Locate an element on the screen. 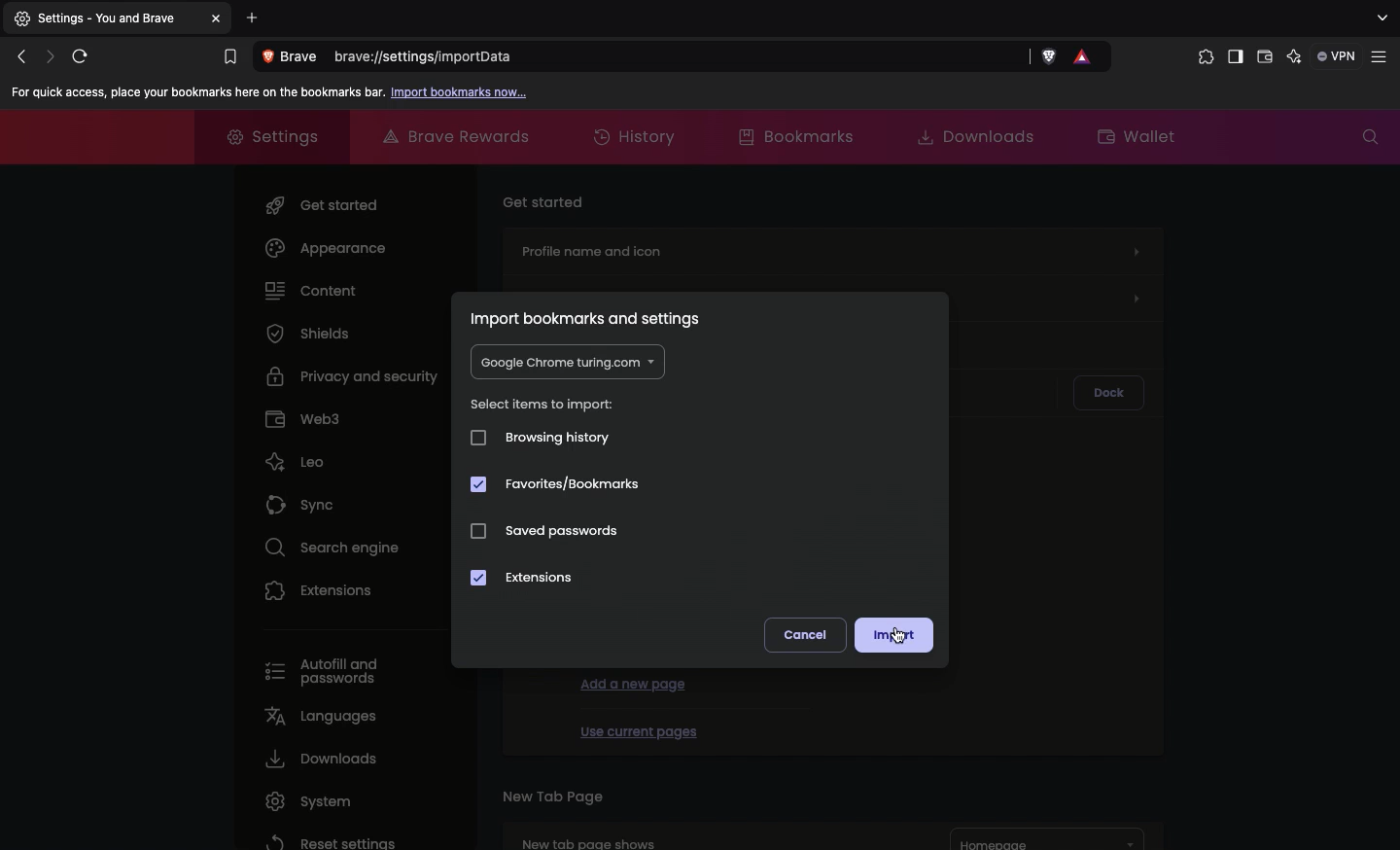 Image resolution: width=1400 pixels, height=850 pixels. Settings is located at coordinates (104, 19).